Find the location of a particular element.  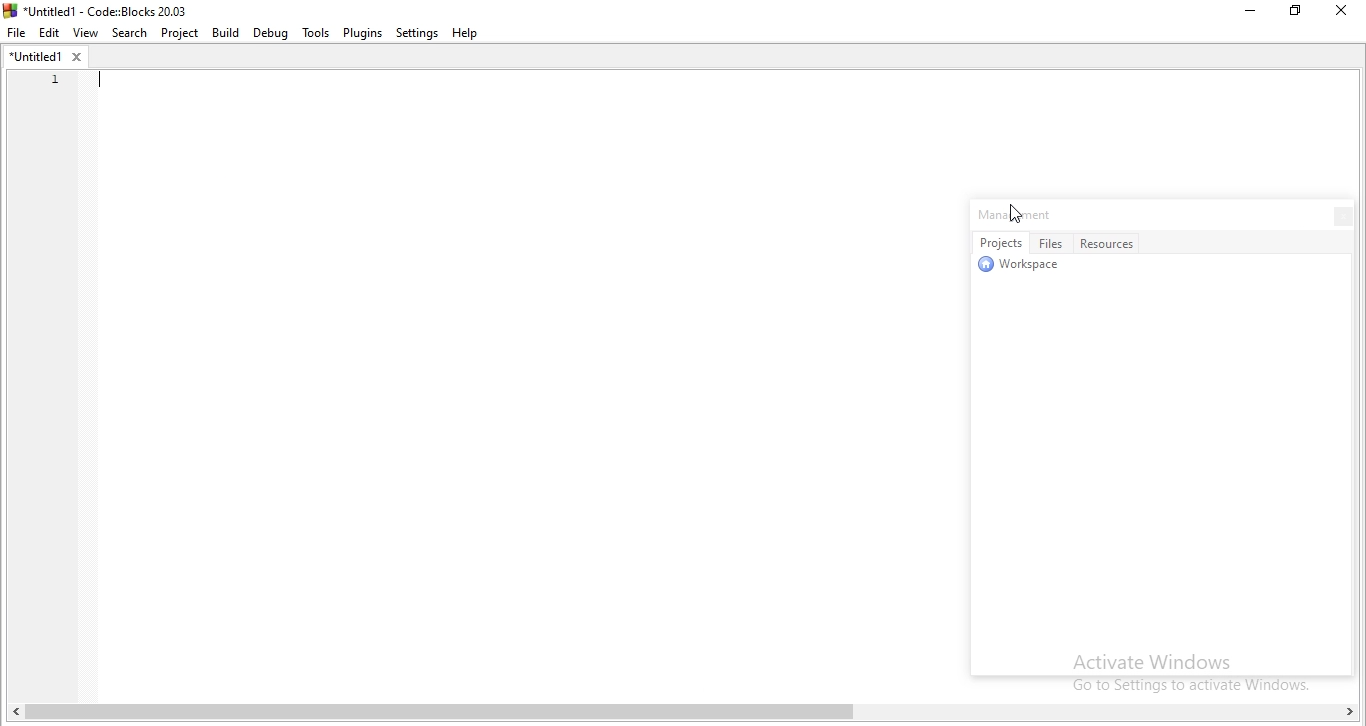

workspace is located at coordinates (1024, 268).